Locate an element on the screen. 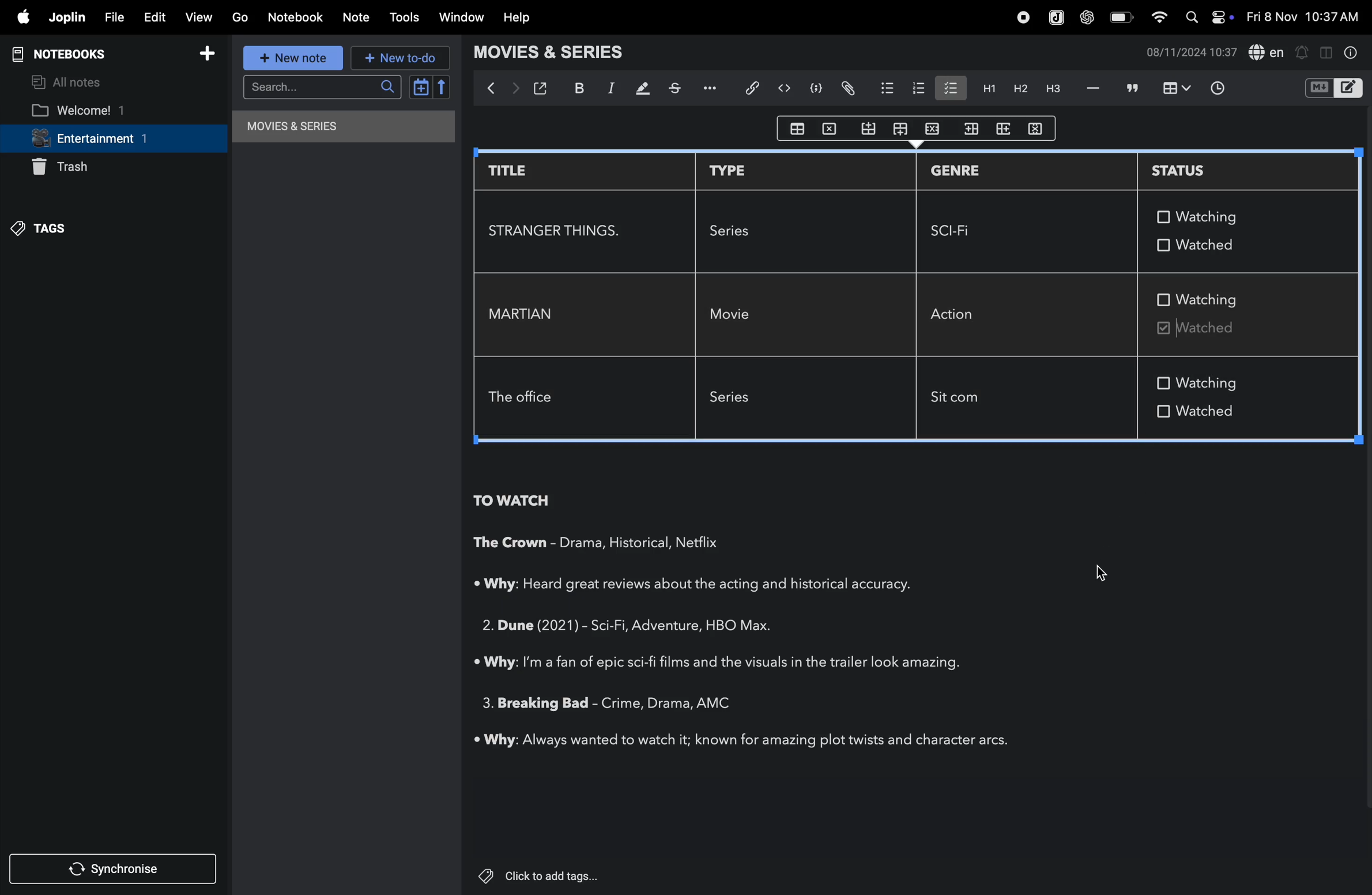  search bar is located at coordinates (319, 88).